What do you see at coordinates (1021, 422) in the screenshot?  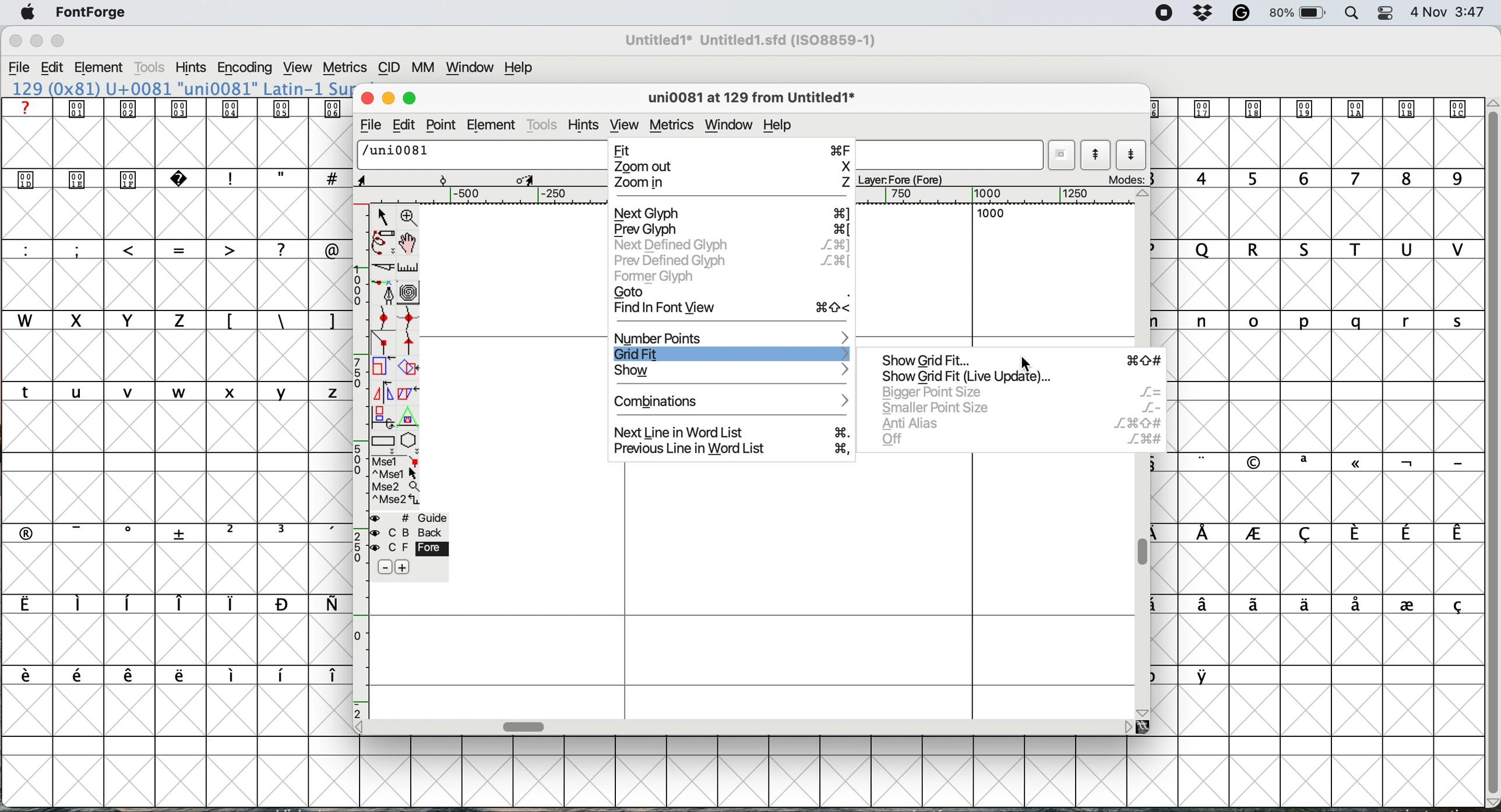 I see `anti alias` at bounding box center [1021, 422].